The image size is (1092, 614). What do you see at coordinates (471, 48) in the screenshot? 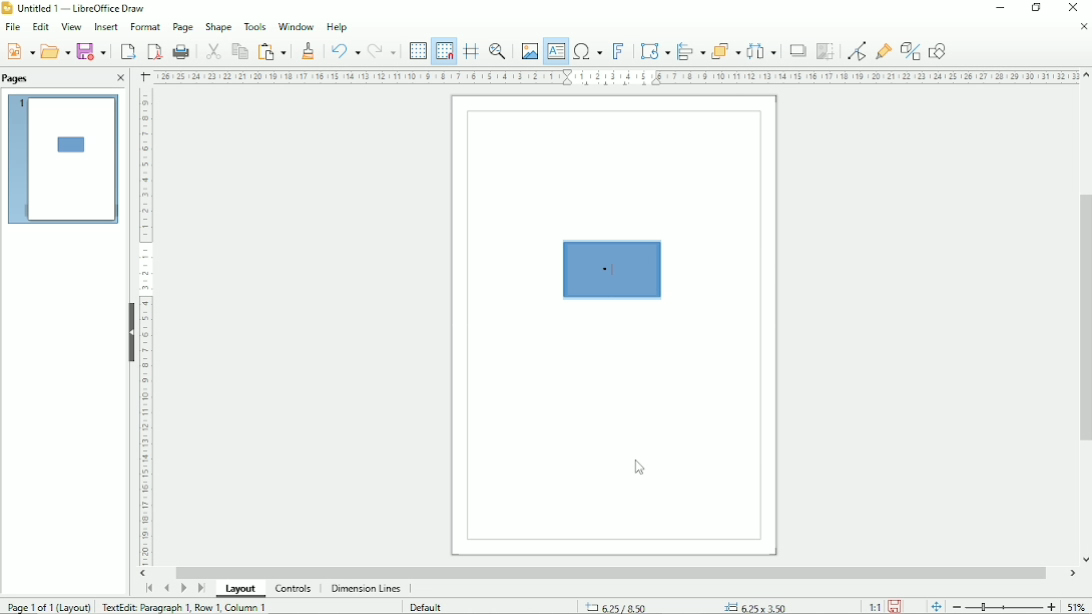
I see `Helplines while moving` at bounding box center [471, 48].